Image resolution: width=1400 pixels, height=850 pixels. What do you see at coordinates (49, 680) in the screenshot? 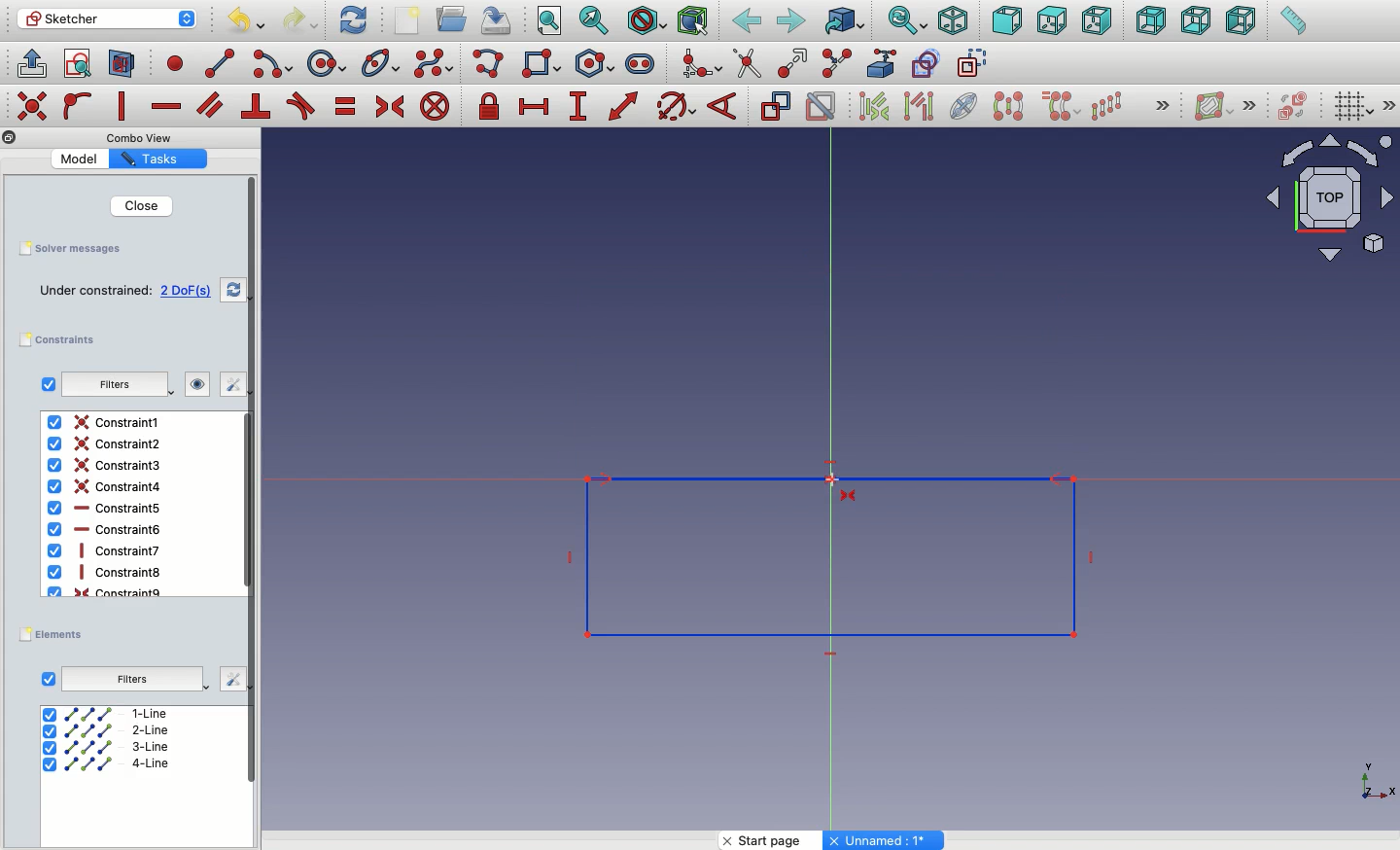
I see `Checkbox` at bounding box center [49, 680].